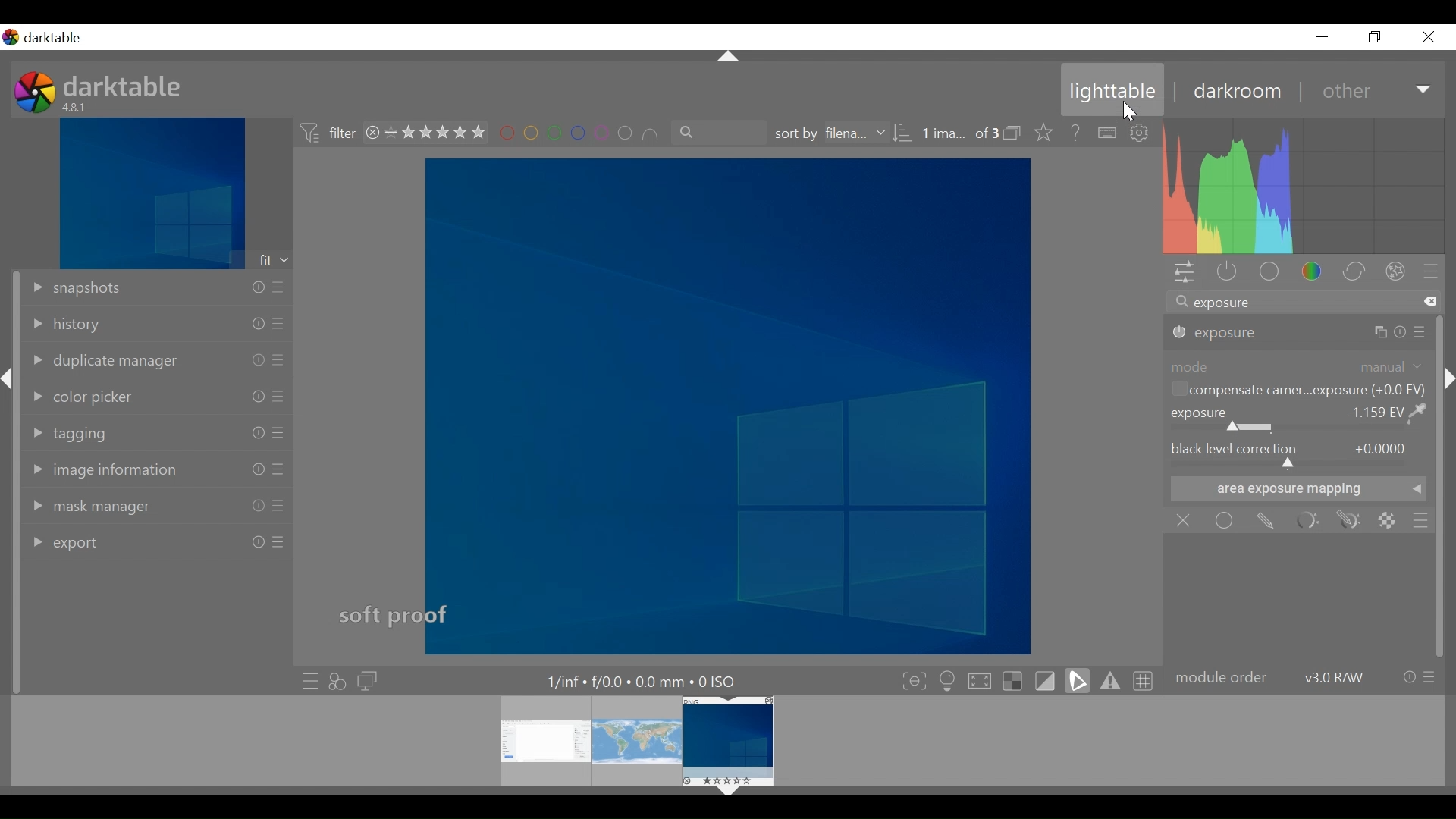 Image resolution: width=1456 pixels, height=819 pixels. What do you see at coordinates (1323, 37) in the screenshot?
I see `minimize` at bounding box center [1323, 37].